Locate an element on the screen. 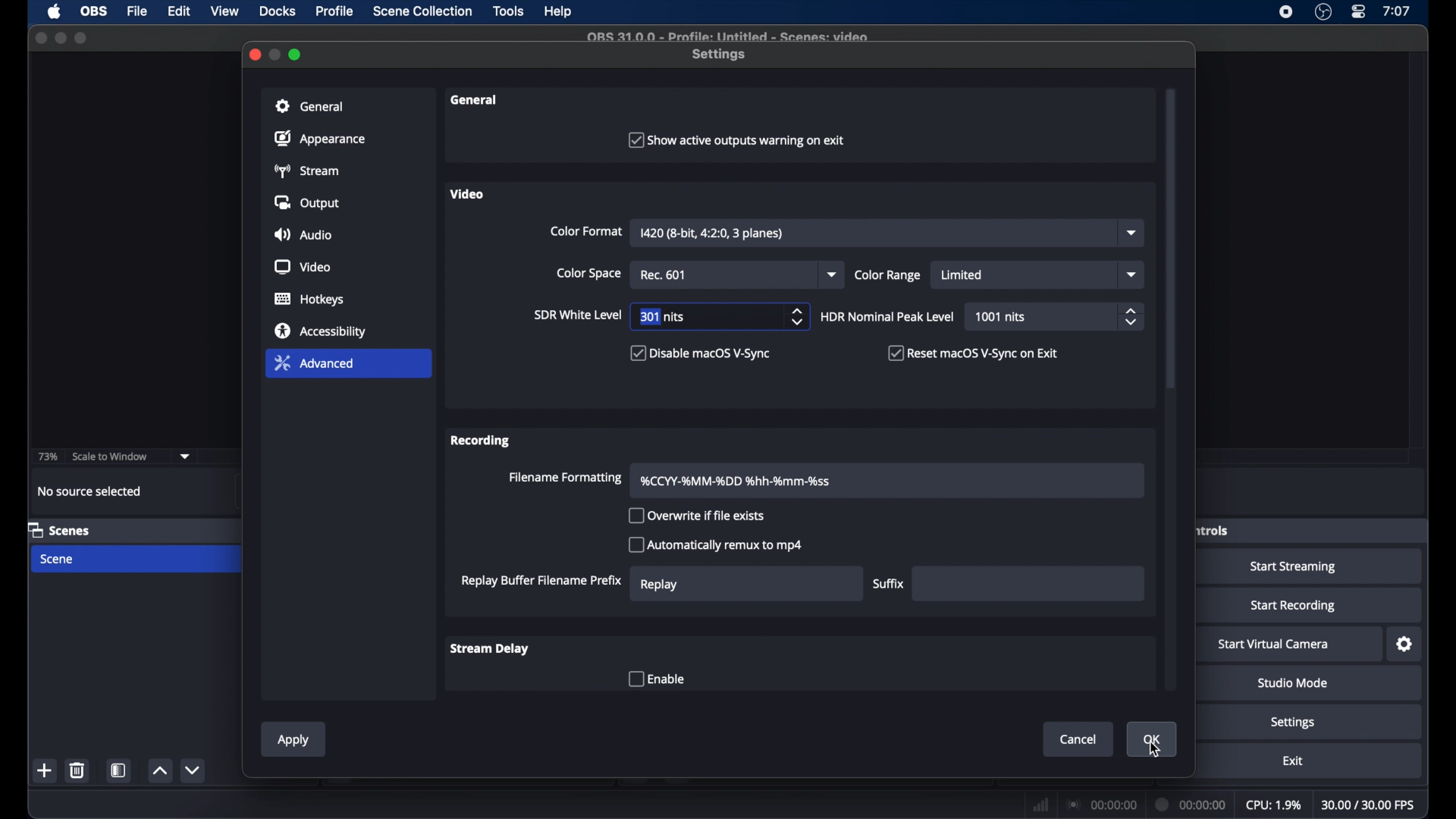  stepper buttons is located at coordinates (797, 317).